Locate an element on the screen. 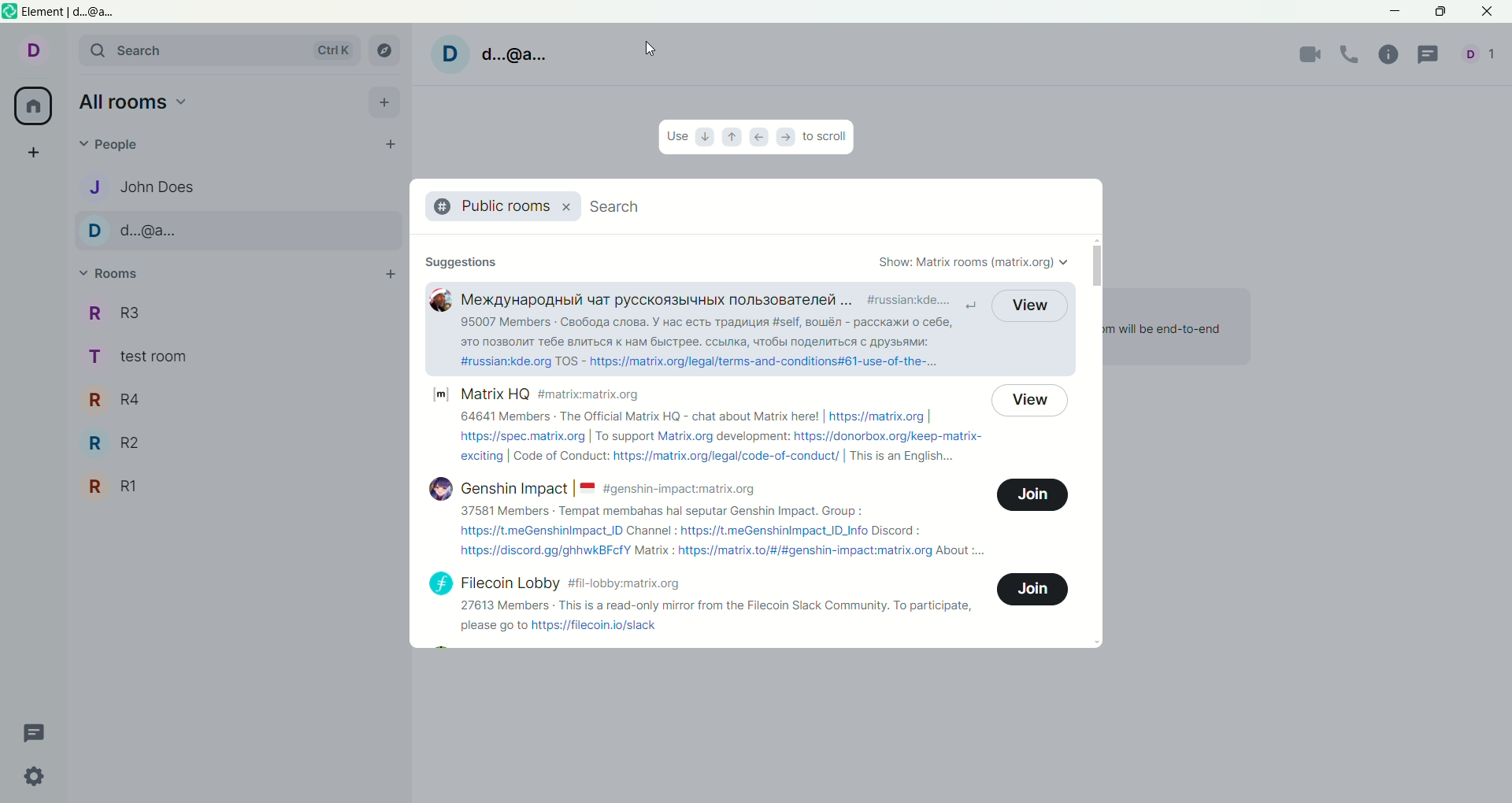 Image resolution: width=1512 pixels, height=803 pixels. rooms is located at coordinates (109, 276).